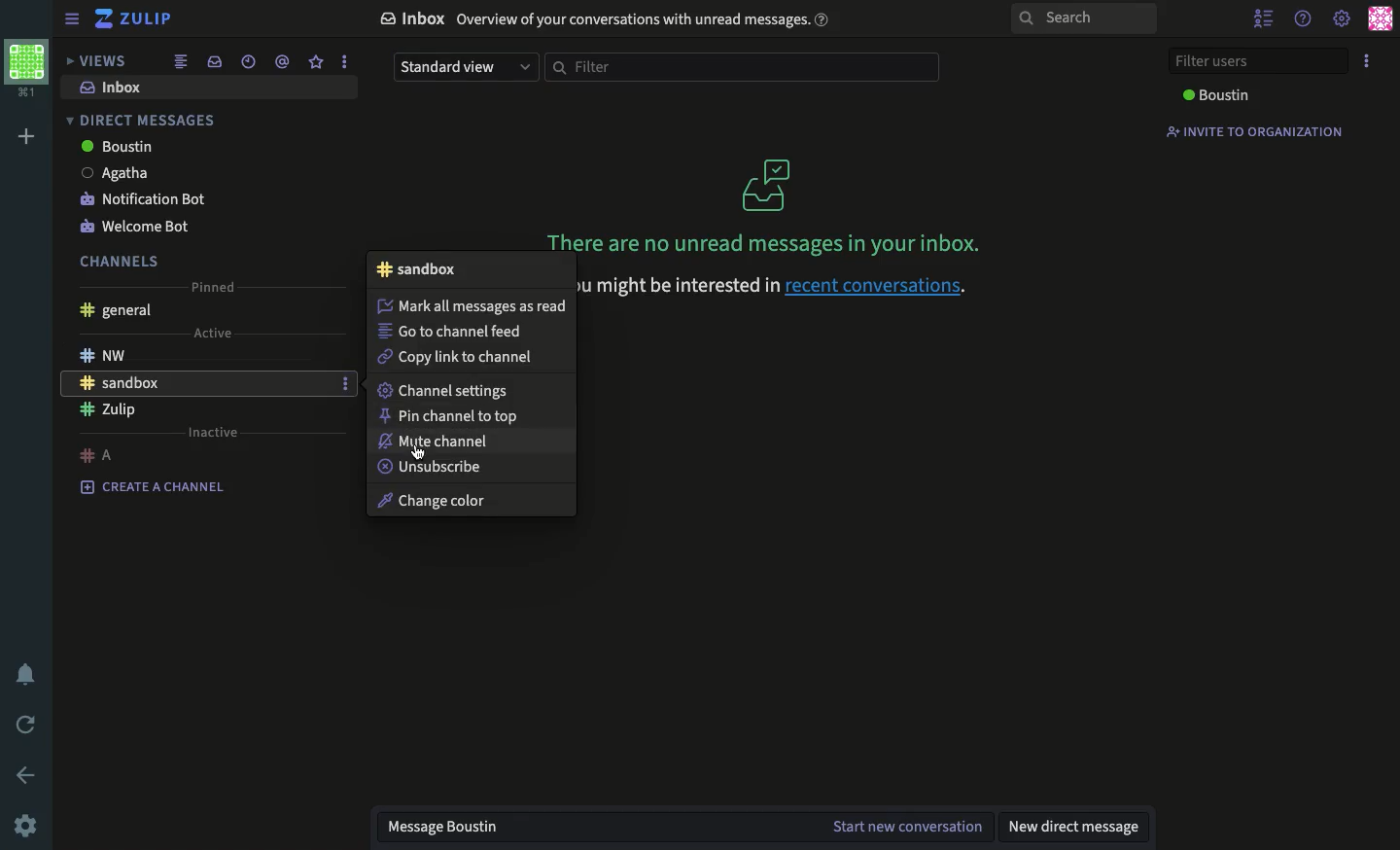 This screenshot has width=1400, height=850. What do you see at coordinates (138, 226) in the screenshot?
I see `welcome bot` at bounding box center [138, 226].